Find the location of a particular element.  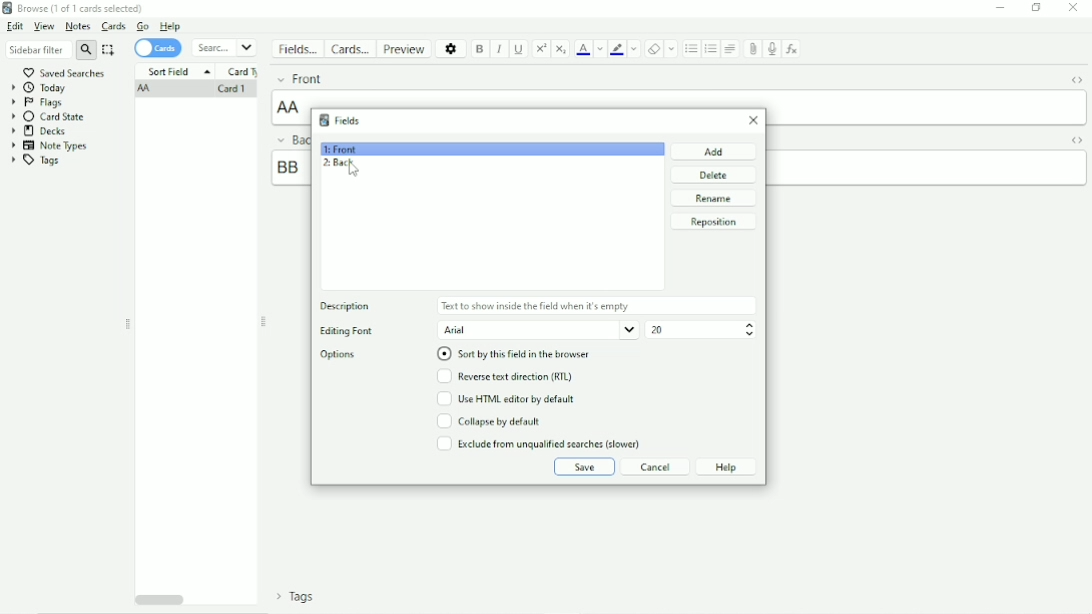

Toggle HTML Editor is located at coordinates (1078, 140).